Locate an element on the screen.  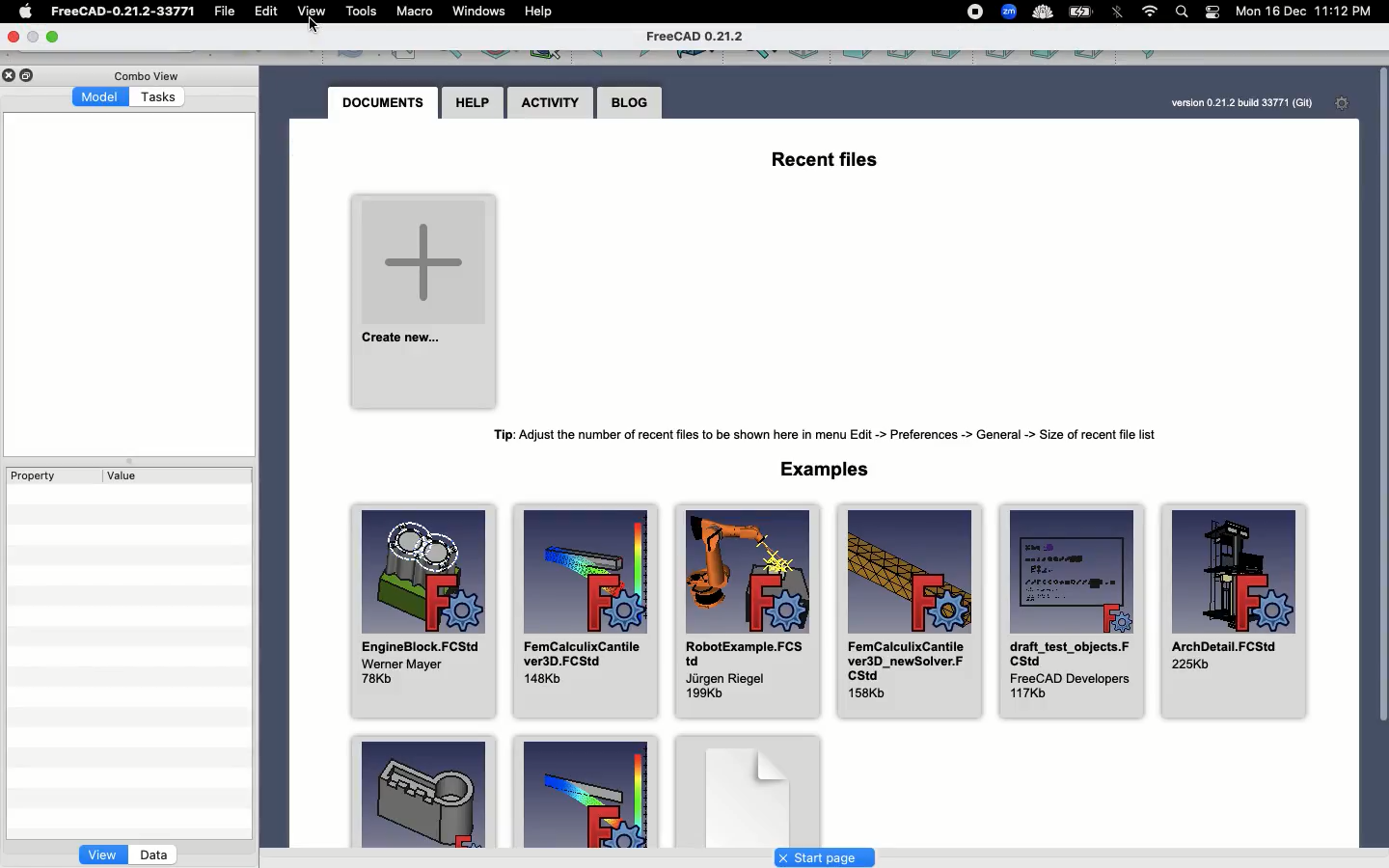
Mon 16 Dec 11:12 PM is located at coordinates (1308, 12).